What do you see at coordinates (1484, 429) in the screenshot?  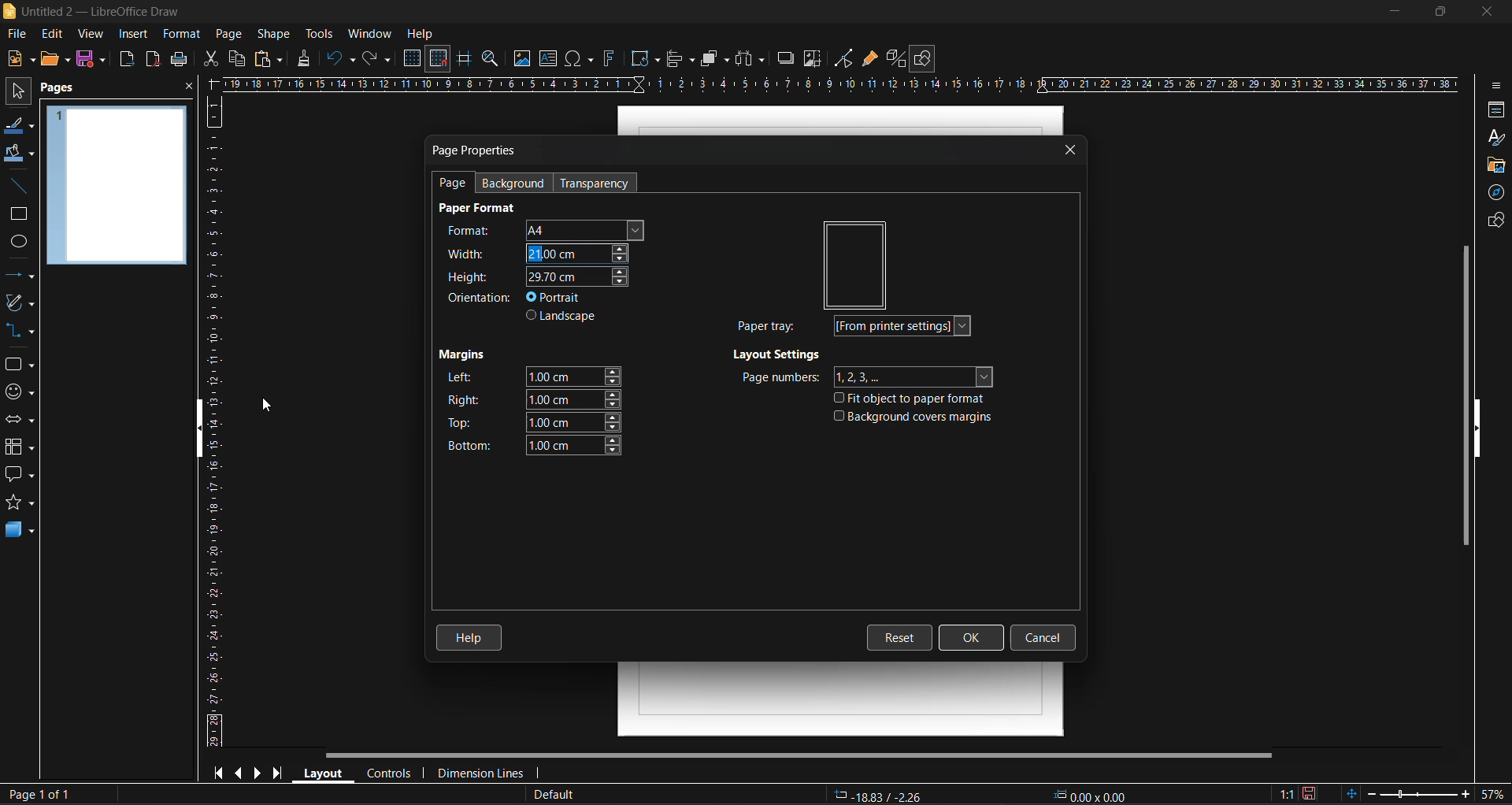 I see `hide` at bounding box center [1484, 429].